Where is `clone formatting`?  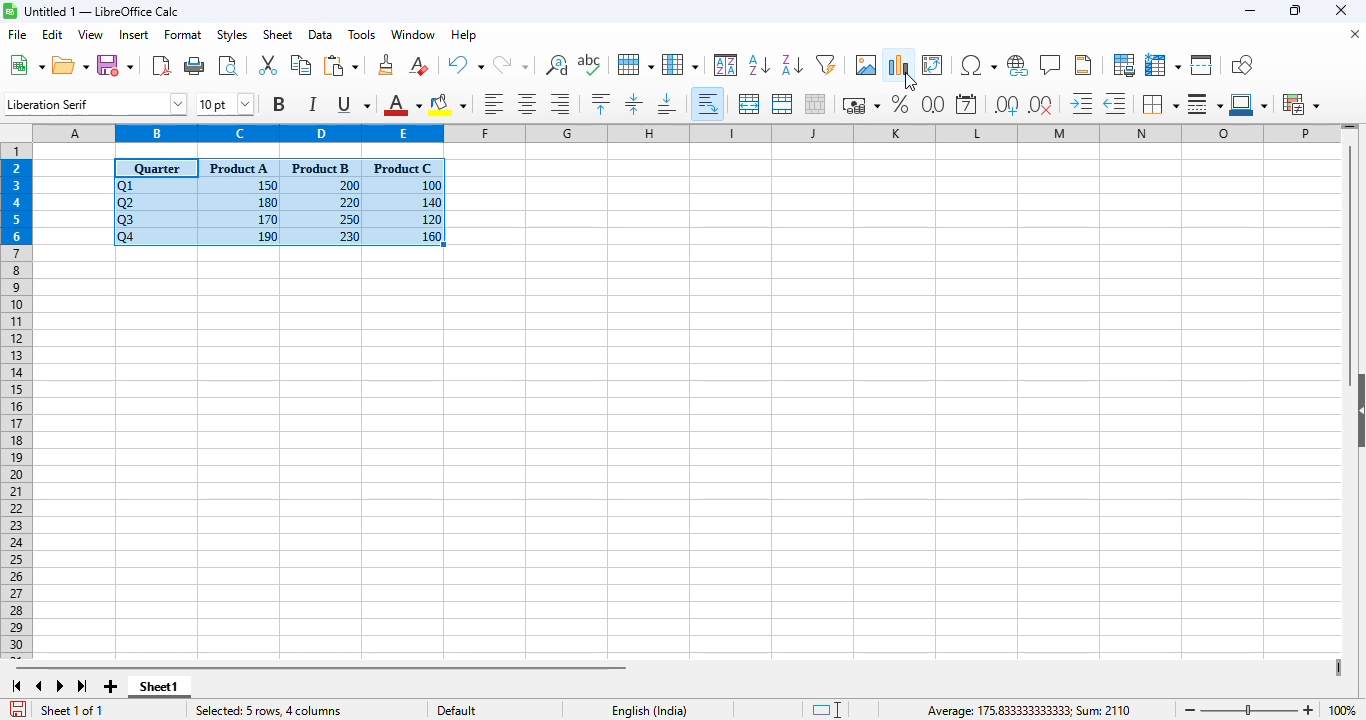 clone formatting is located at coordinates (387, 64).